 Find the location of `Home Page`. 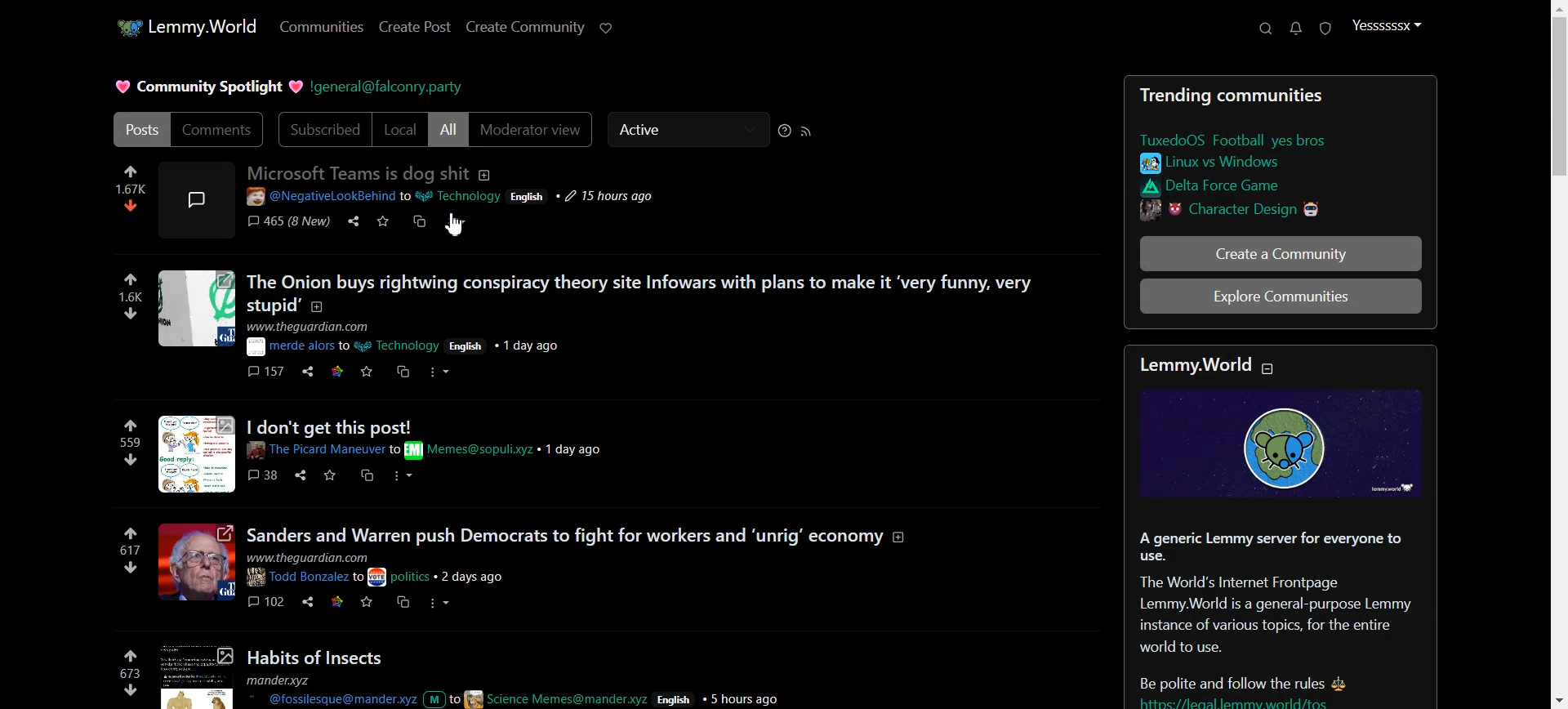

Home Page is located at coordinates (186, 28).